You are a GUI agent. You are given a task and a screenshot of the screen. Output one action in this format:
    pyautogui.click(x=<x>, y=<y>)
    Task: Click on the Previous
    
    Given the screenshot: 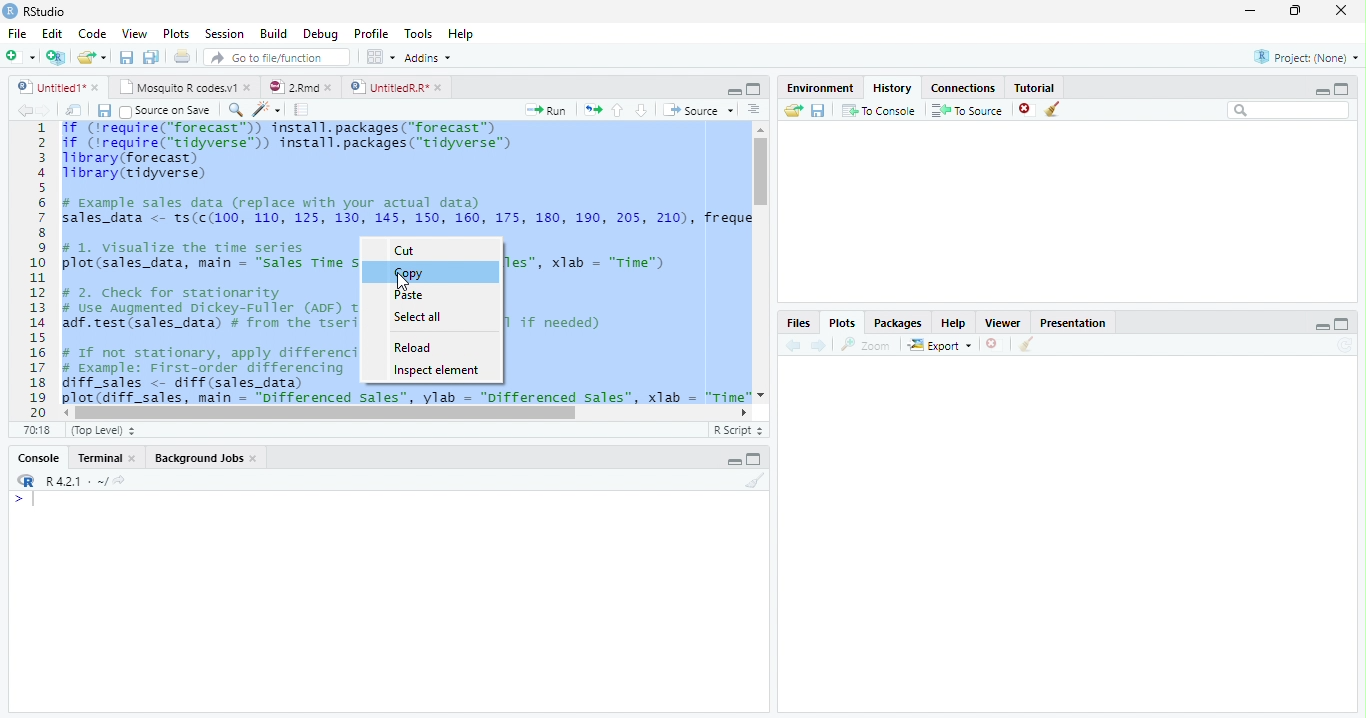 What is the action you would take?
    pyautogui.click(x=793, y=345)
    